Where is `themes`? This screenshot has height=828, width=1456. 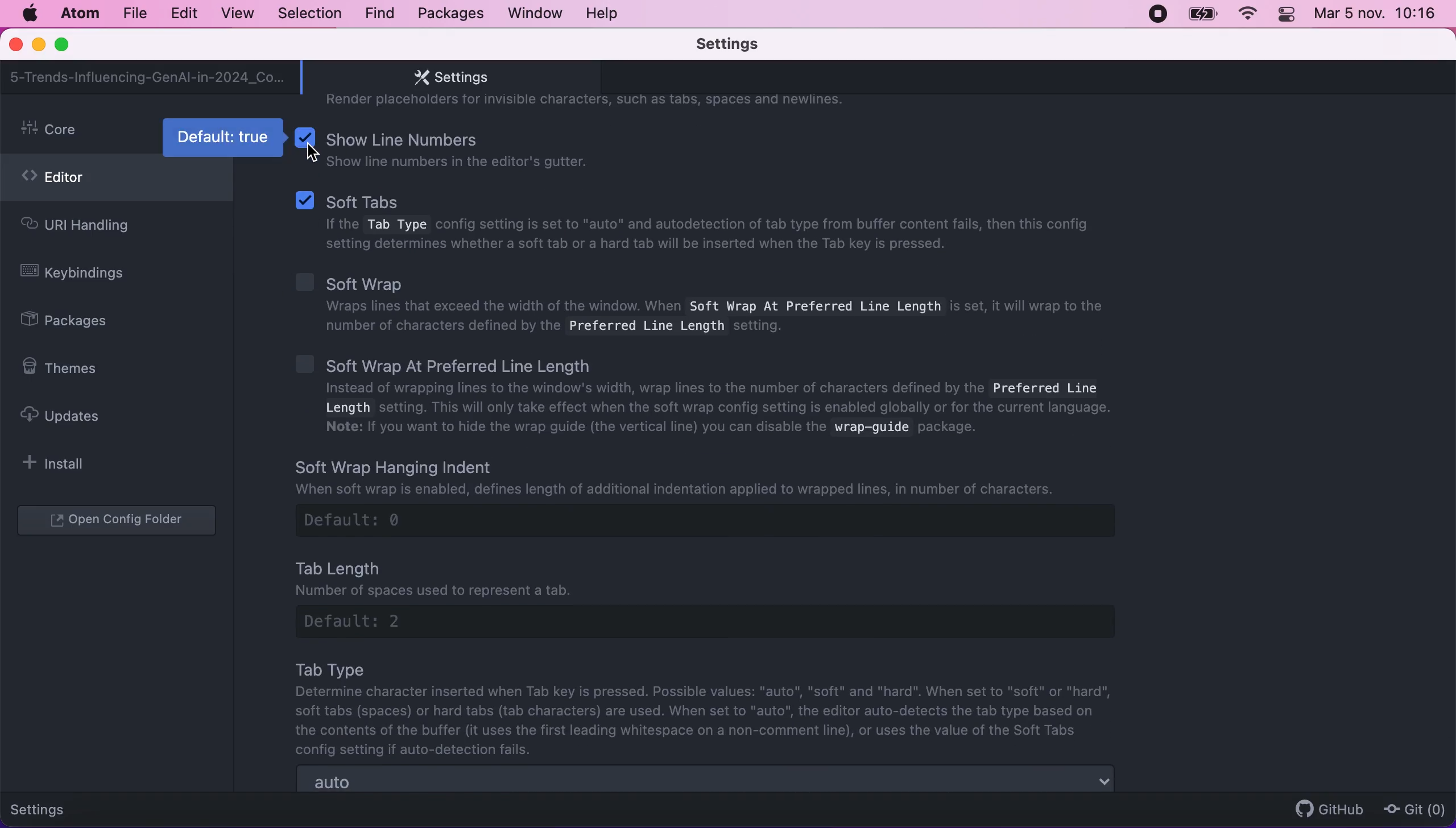 themes is located at coordinates (67, 368).